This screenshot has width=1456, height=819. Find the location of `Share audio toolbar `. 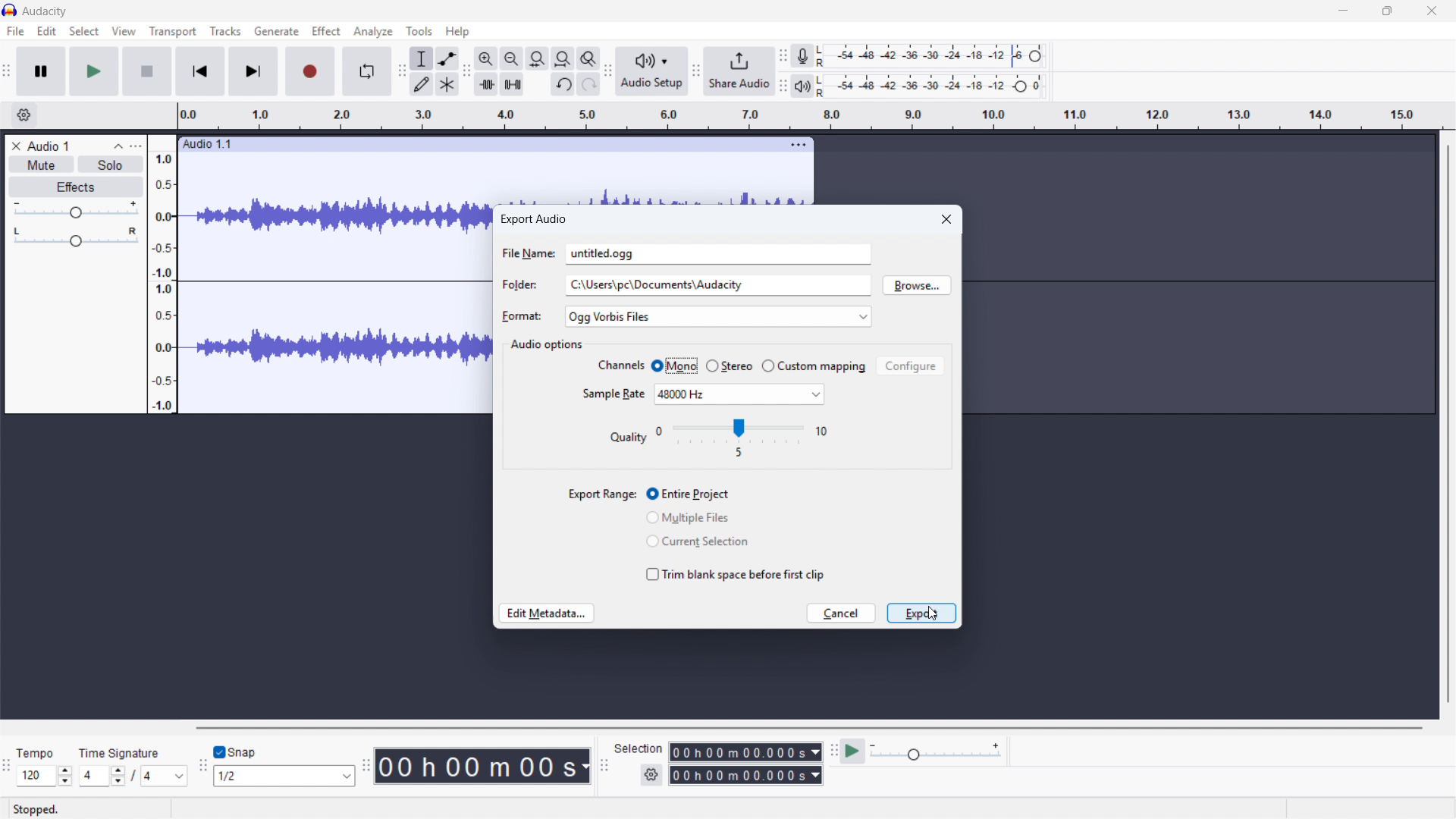

Share audio toolbar  is located at coordinates (696, 71).